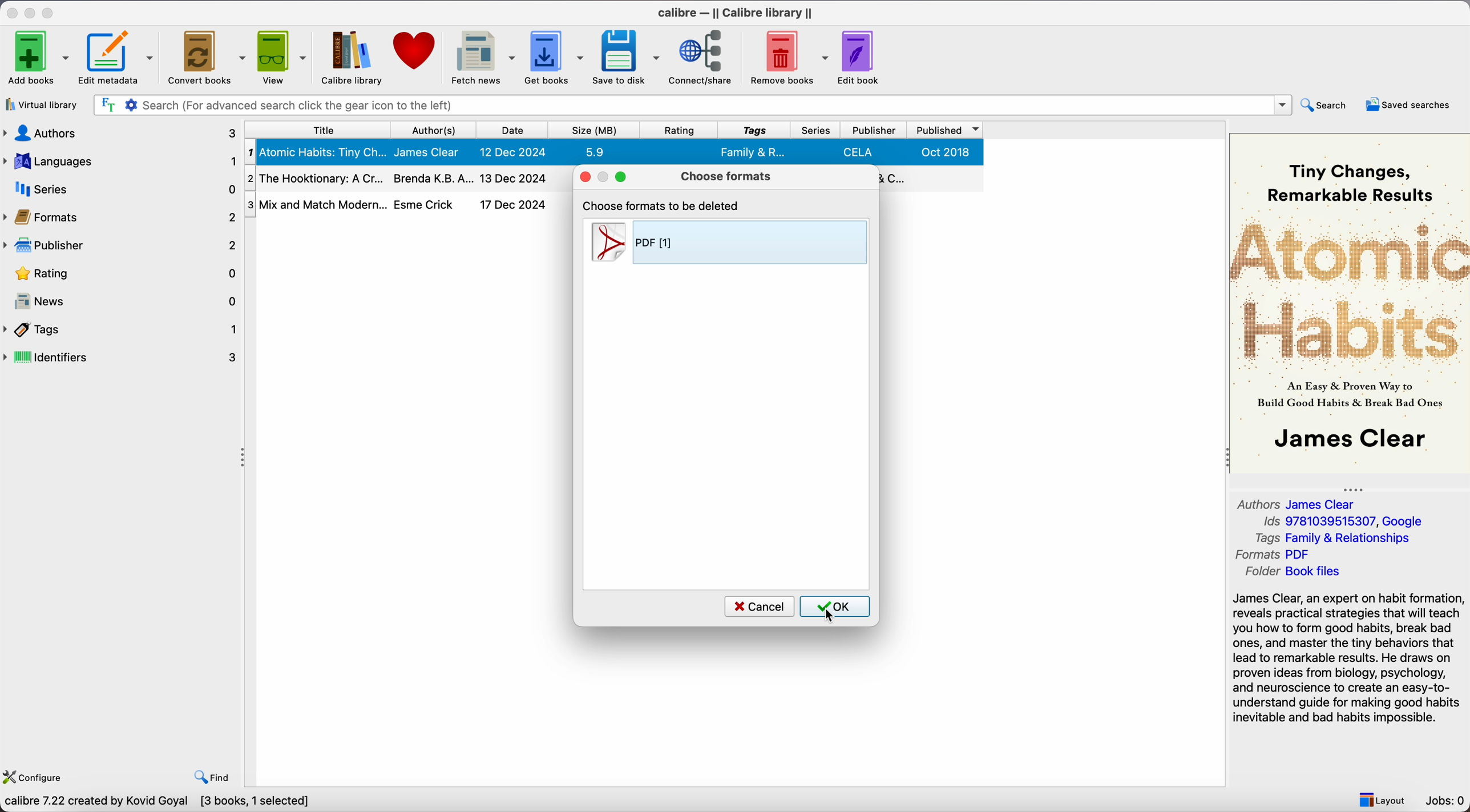 Image resolution: width=1470 pixels, height=812 pixels. What do you see at coordinates (514, 178) in the screenshot?
I see `13 Dec 2024` at bounding box center [514, 178].